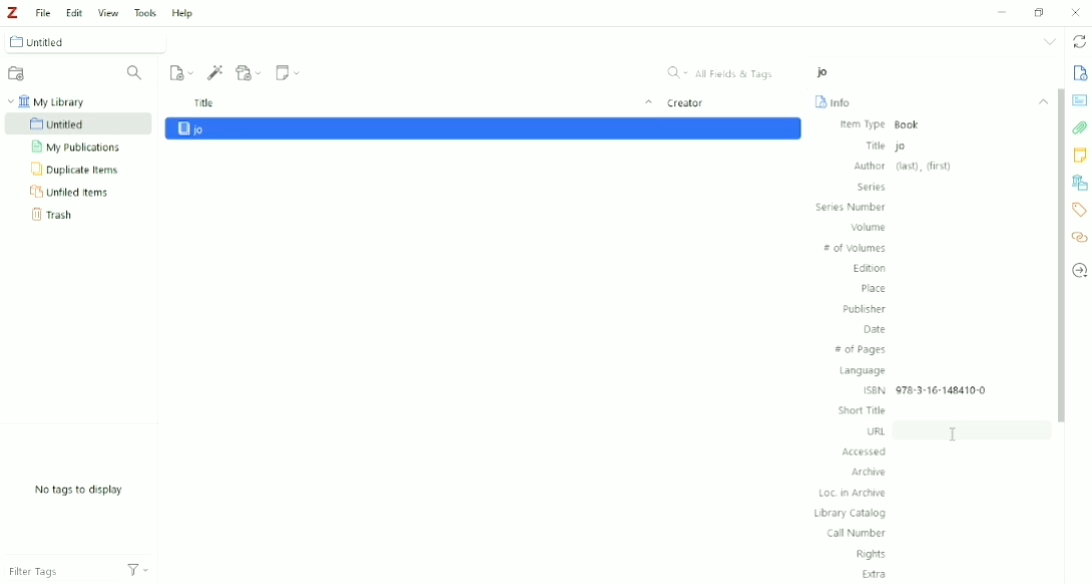  I want to click on List all tabs, so click(1050, 41).